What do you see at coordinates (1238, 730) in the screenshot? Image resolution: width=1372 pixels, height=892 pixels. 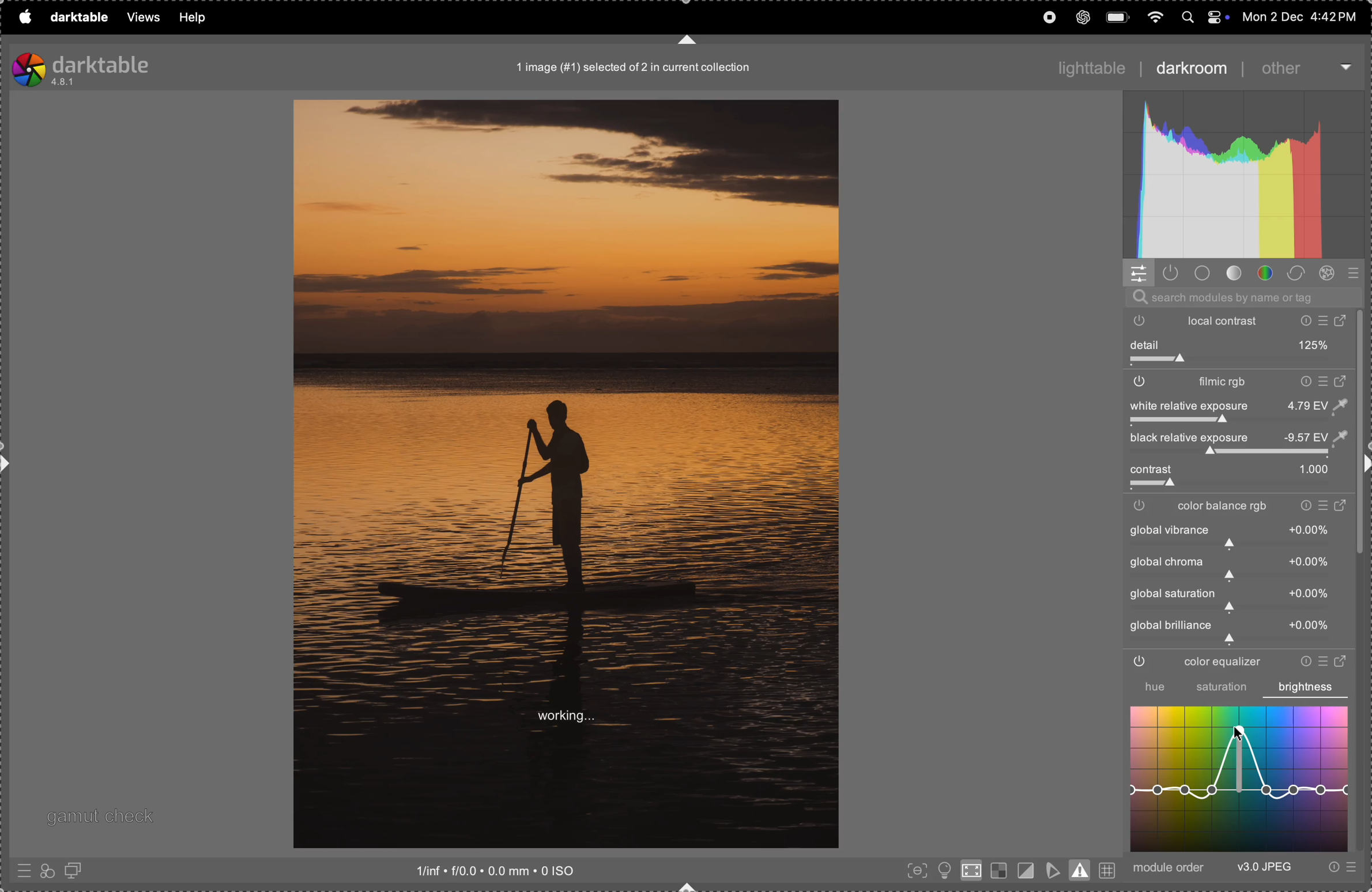 I see `cursor` at bounding box center [1238, 730].